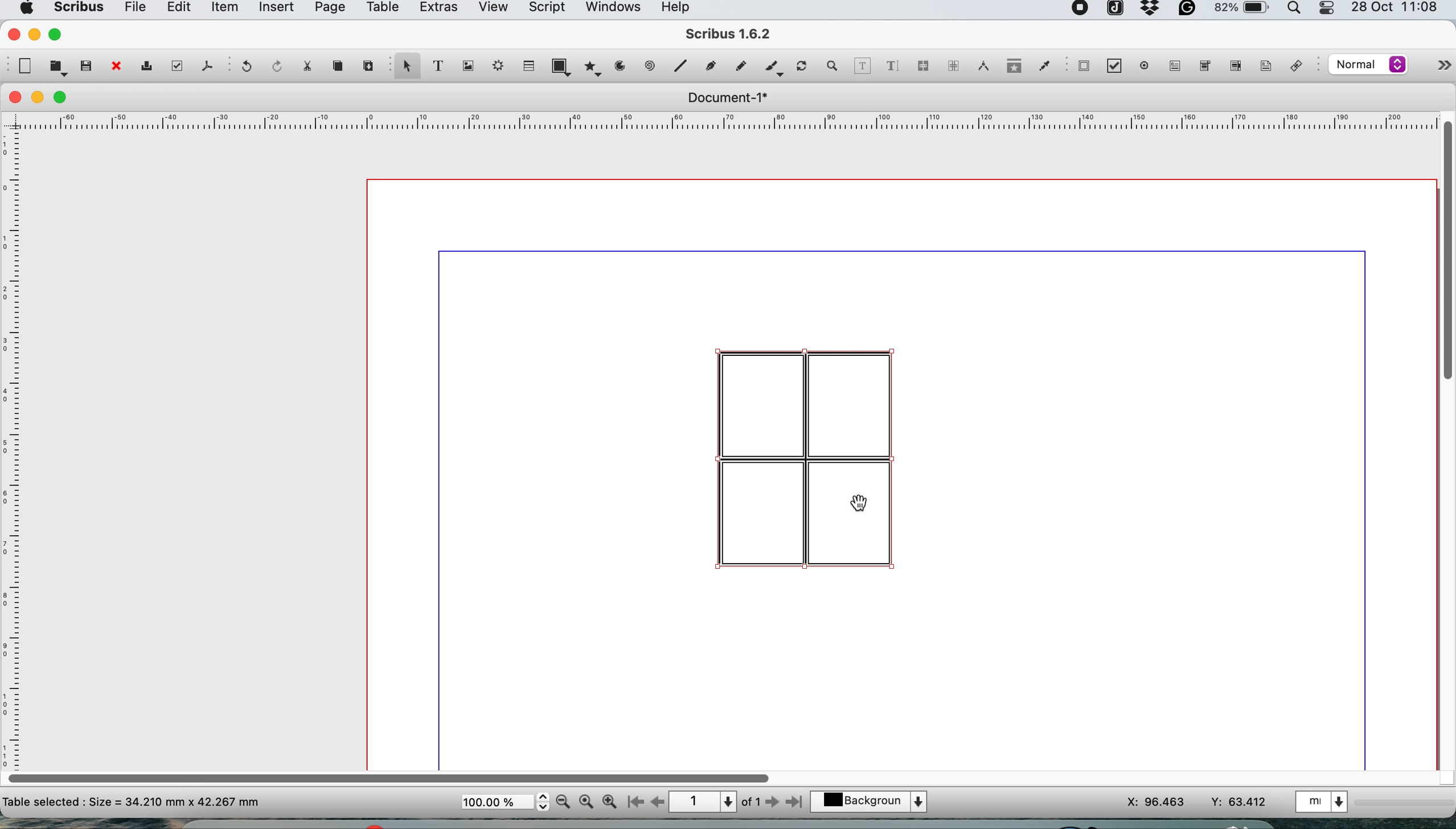 This screenshot has width=1456, height=829. I want to click on calligraphic line, so click(772, 69).